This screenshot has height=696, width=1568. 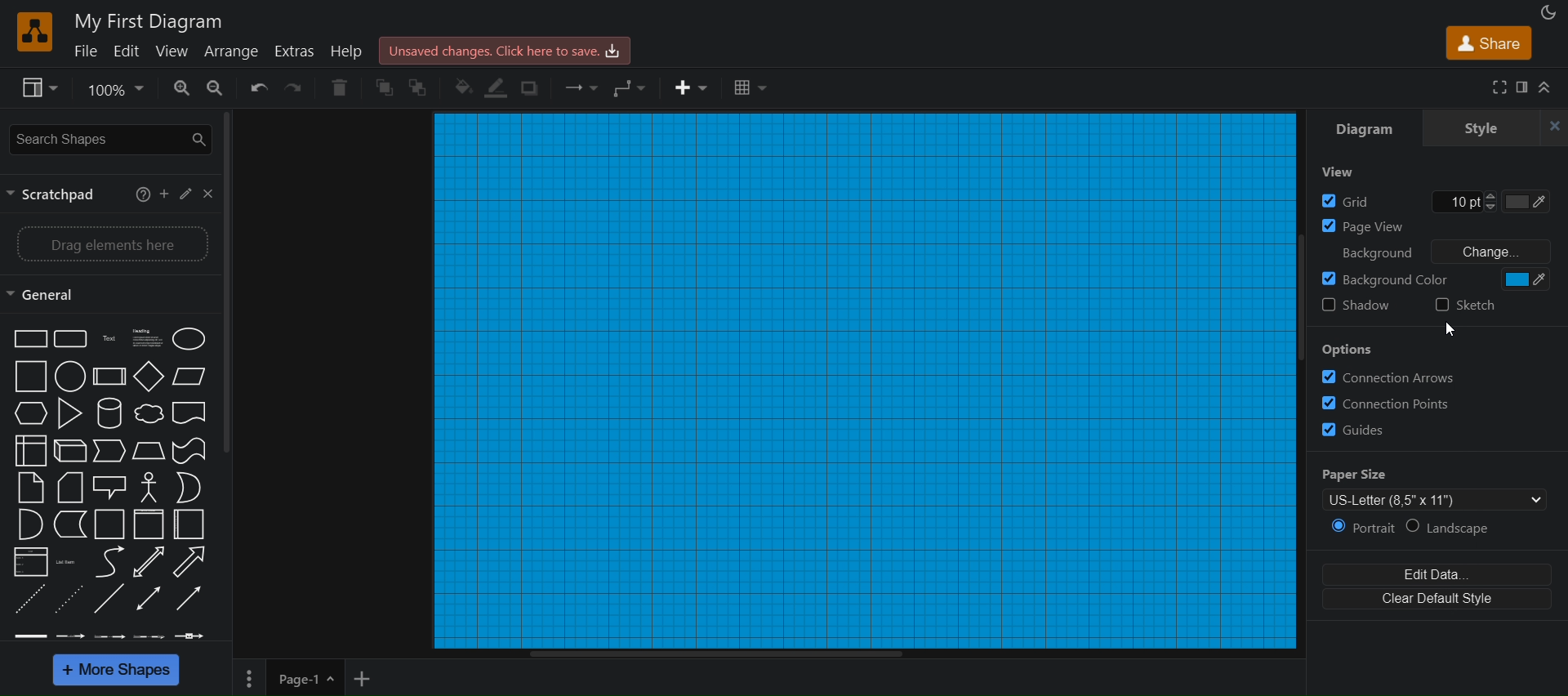 I want to click on more shapes, so click(x=118, y=669).